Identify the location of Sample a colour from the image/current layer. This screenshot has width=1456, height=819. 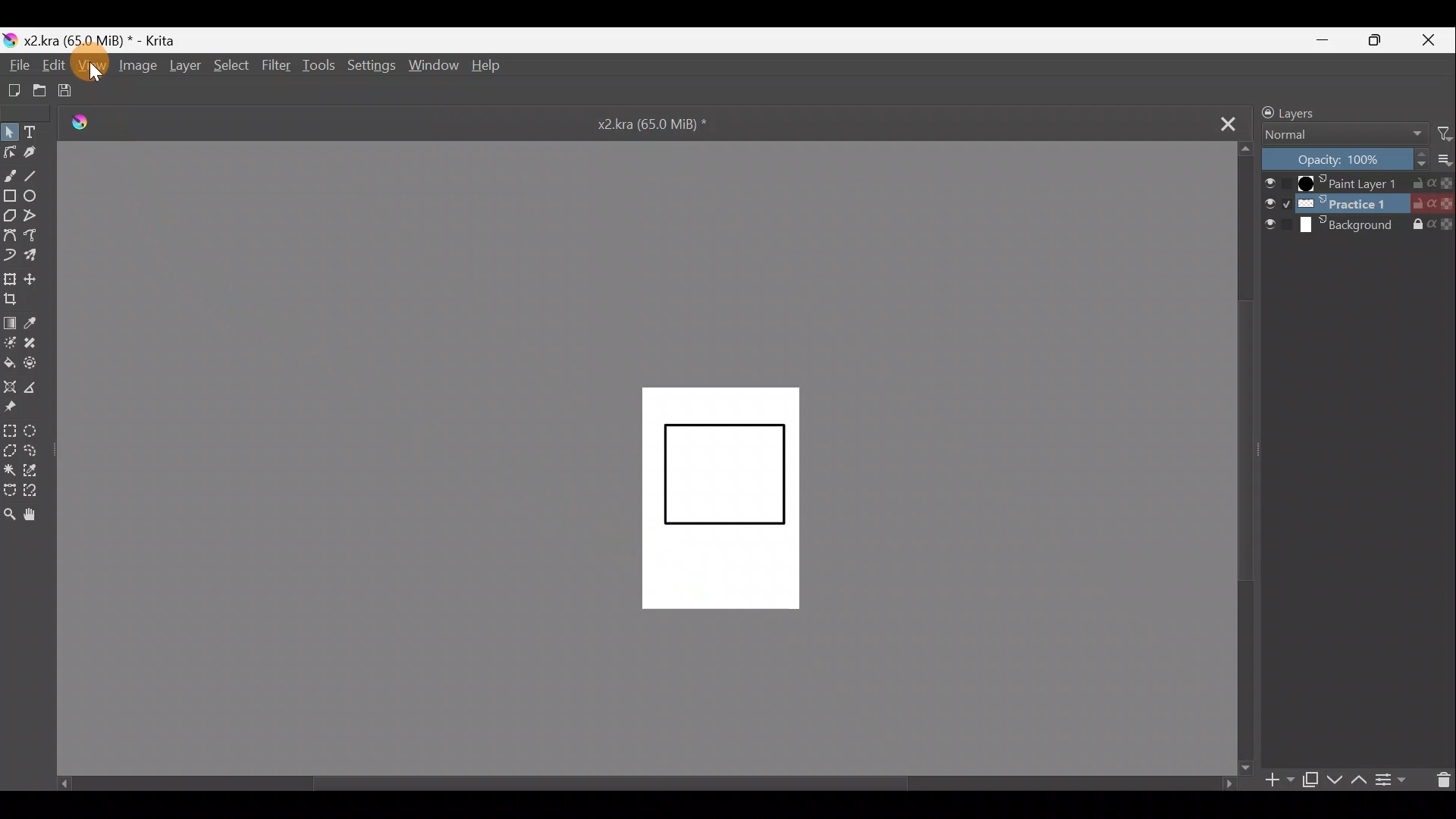
(33, 322).